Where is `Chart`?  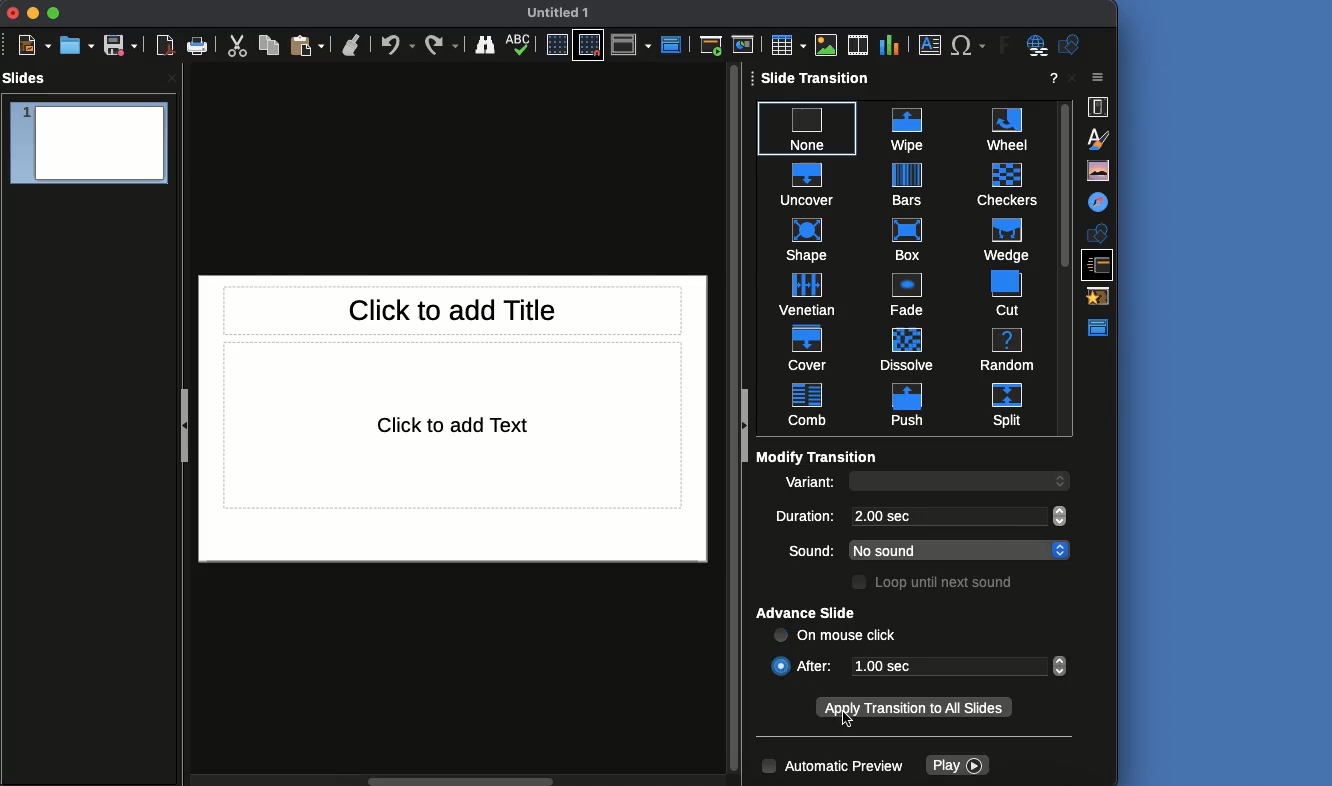 Chart is located at coordinates (889, 44).